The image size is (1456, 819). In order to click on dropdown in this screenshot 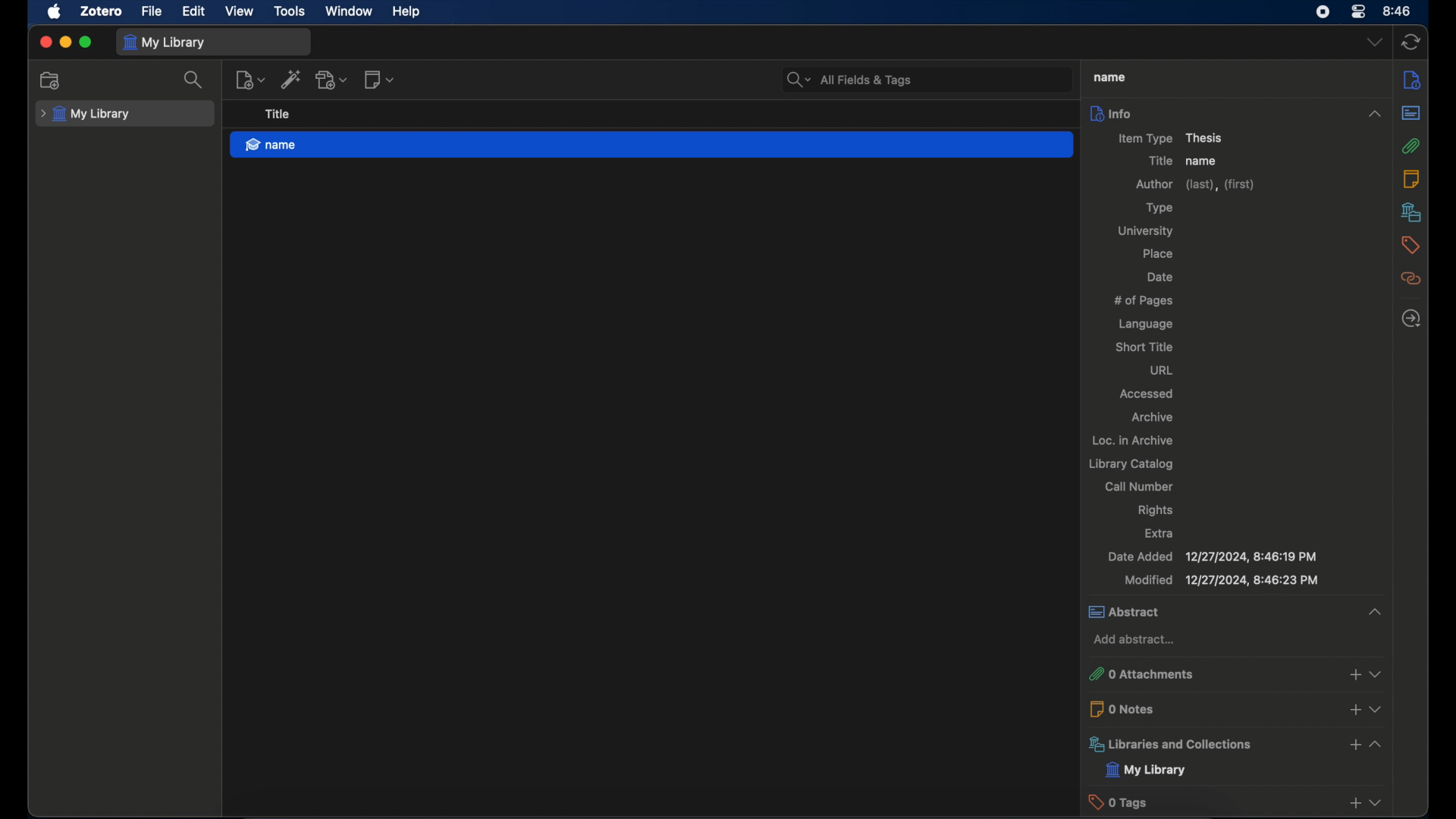, I will do `click(1375, 43)`.